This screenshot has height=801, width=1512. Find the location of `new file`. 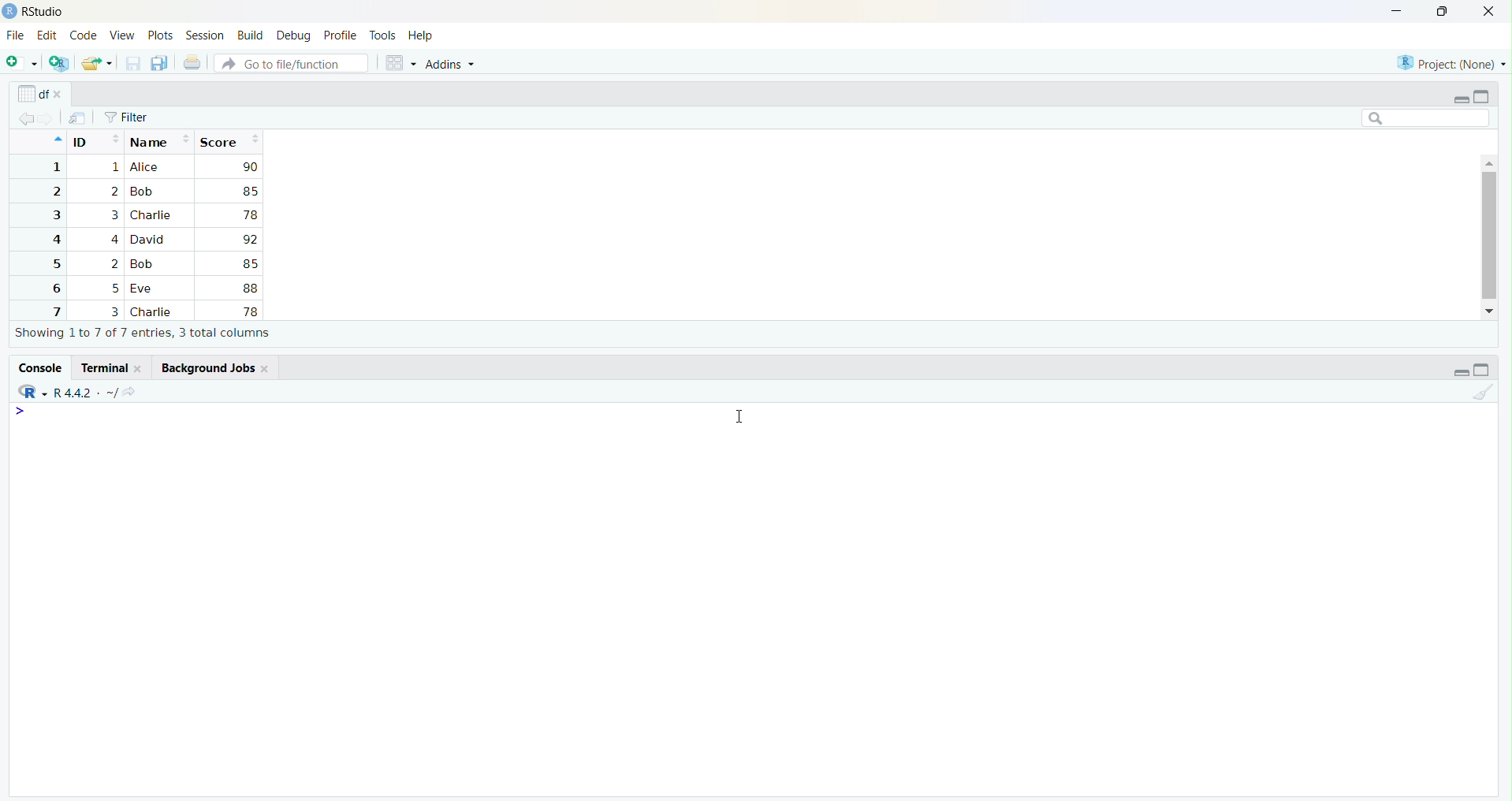

new file is located at coordinates (23, 62).